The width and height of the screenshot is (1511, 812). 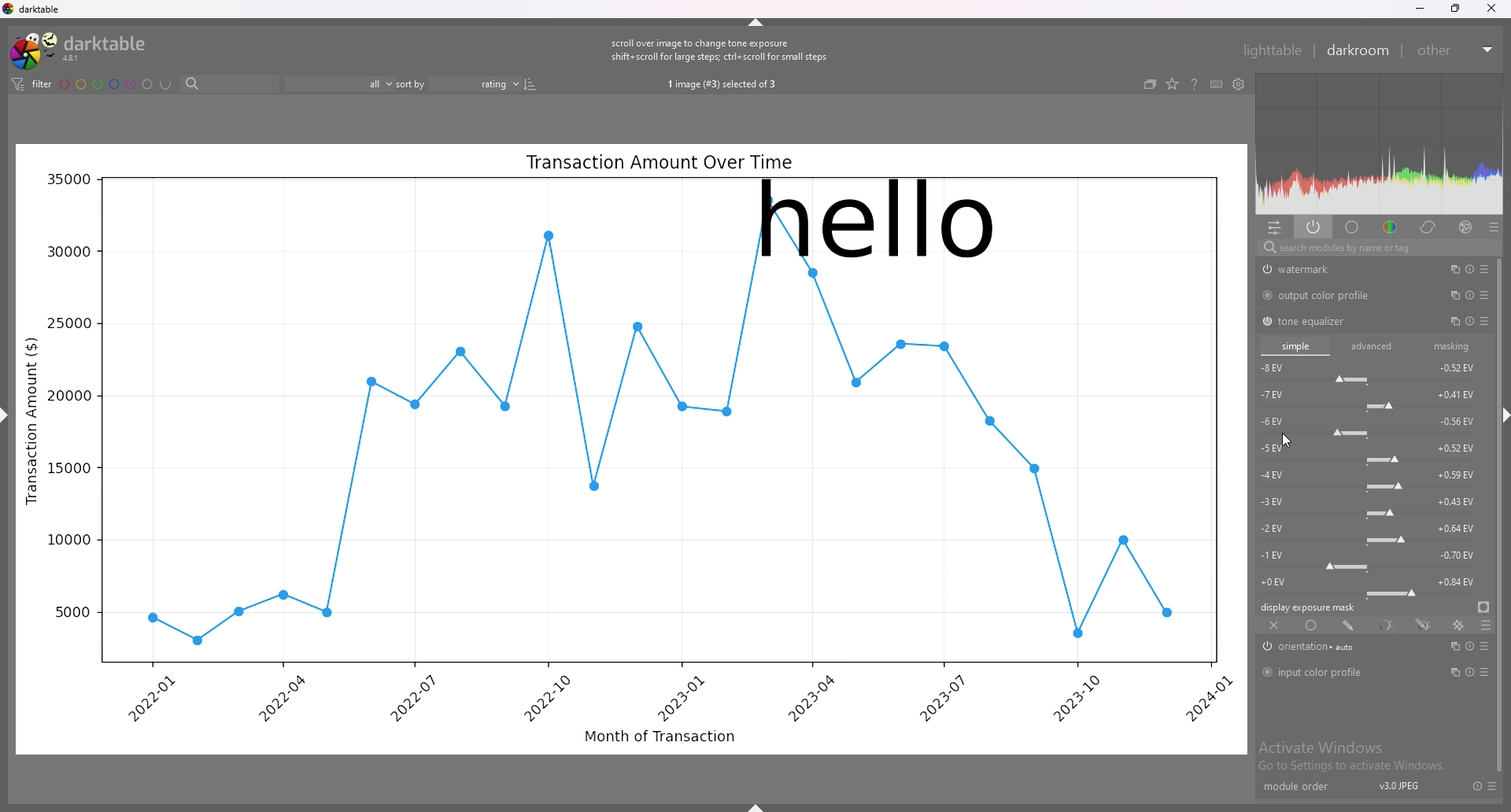 What do you see at coordinates (659, 735) in the screenshot?
I see `Month of Transaction` at bounding box center [659, 735].